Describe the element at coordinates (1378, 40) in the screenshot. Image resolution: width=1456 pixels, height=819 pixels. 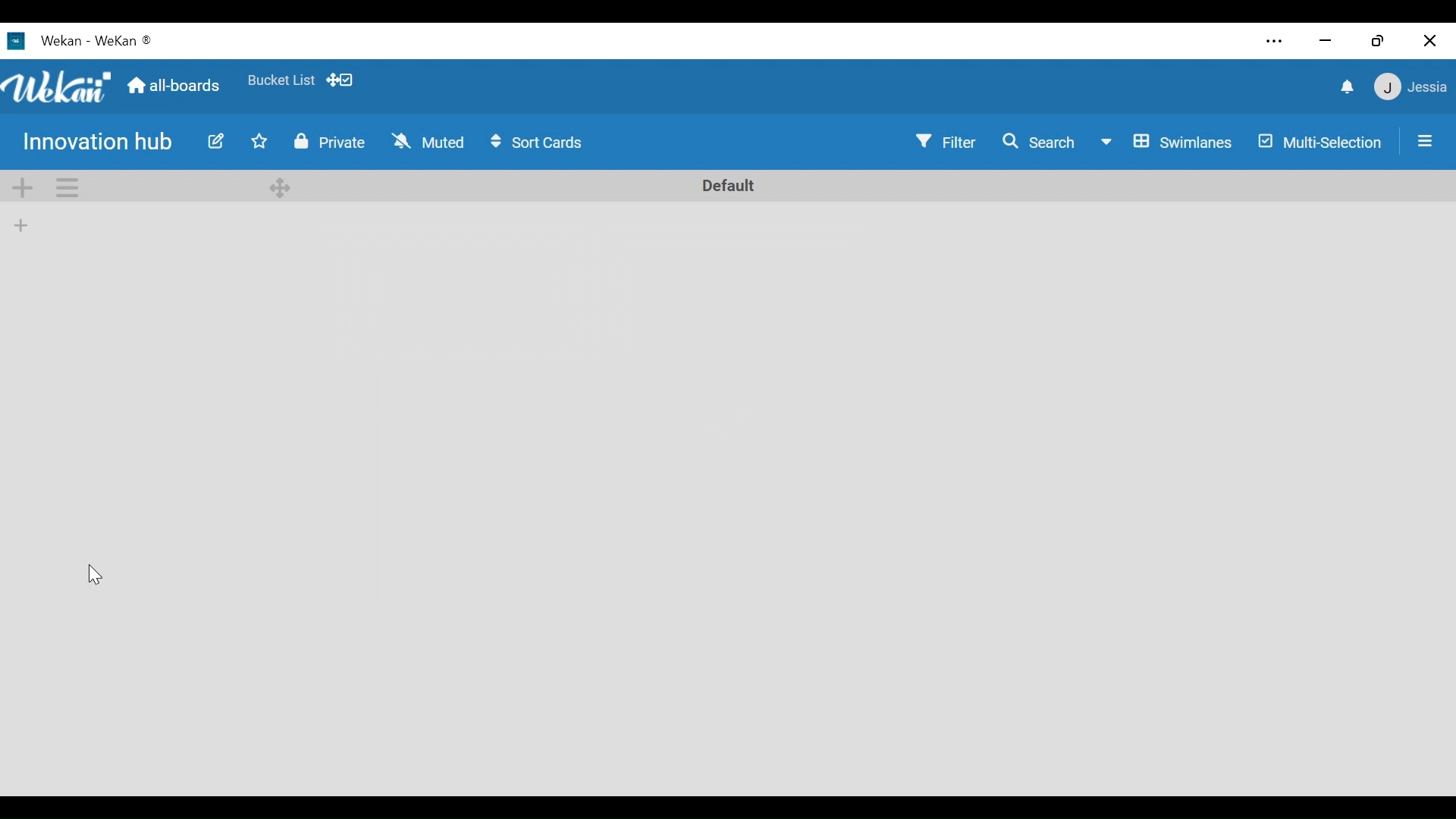
I see `Restore` at that location.